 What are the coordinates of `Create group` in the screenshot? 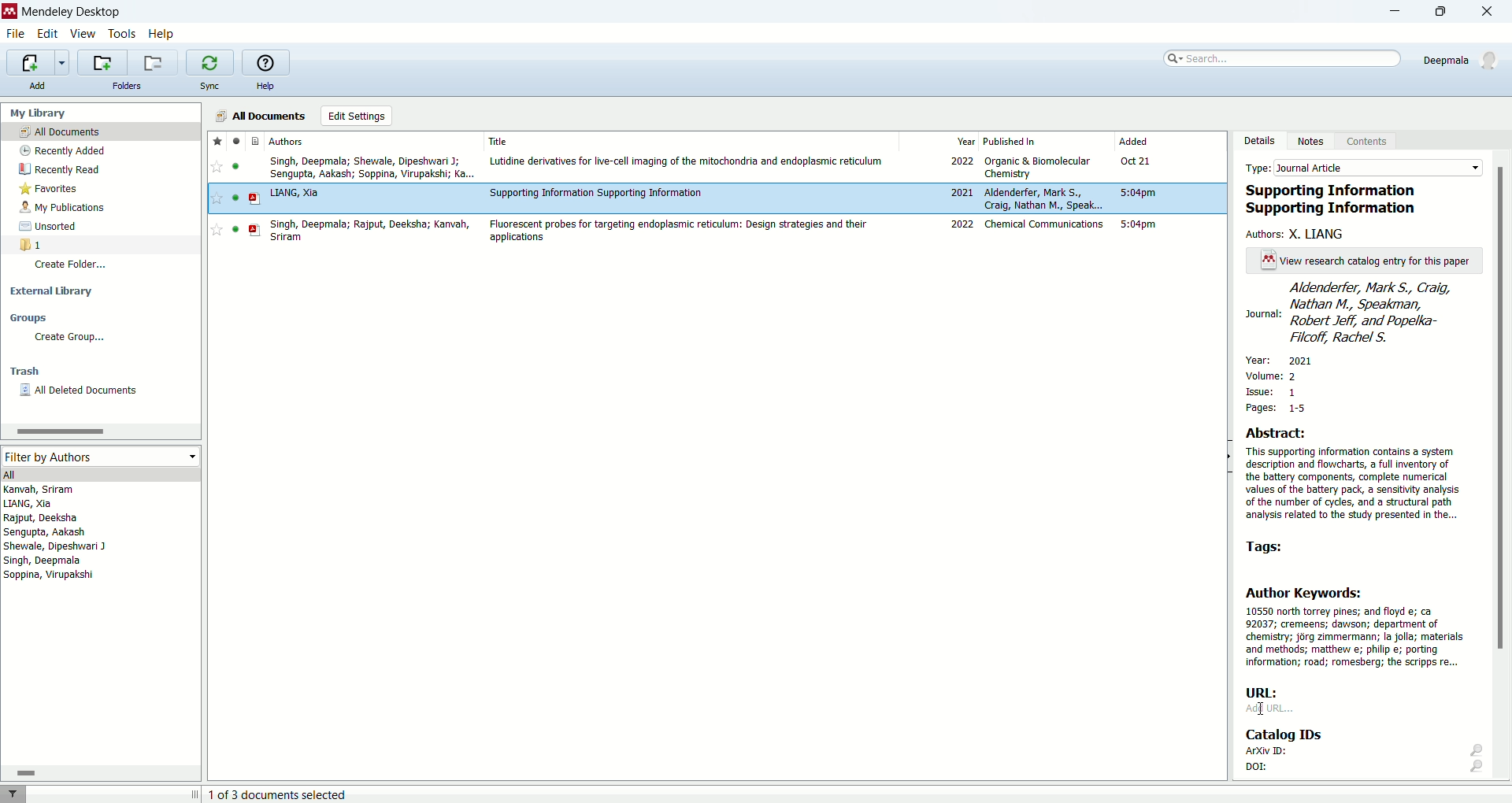 It's located at (69, 338).